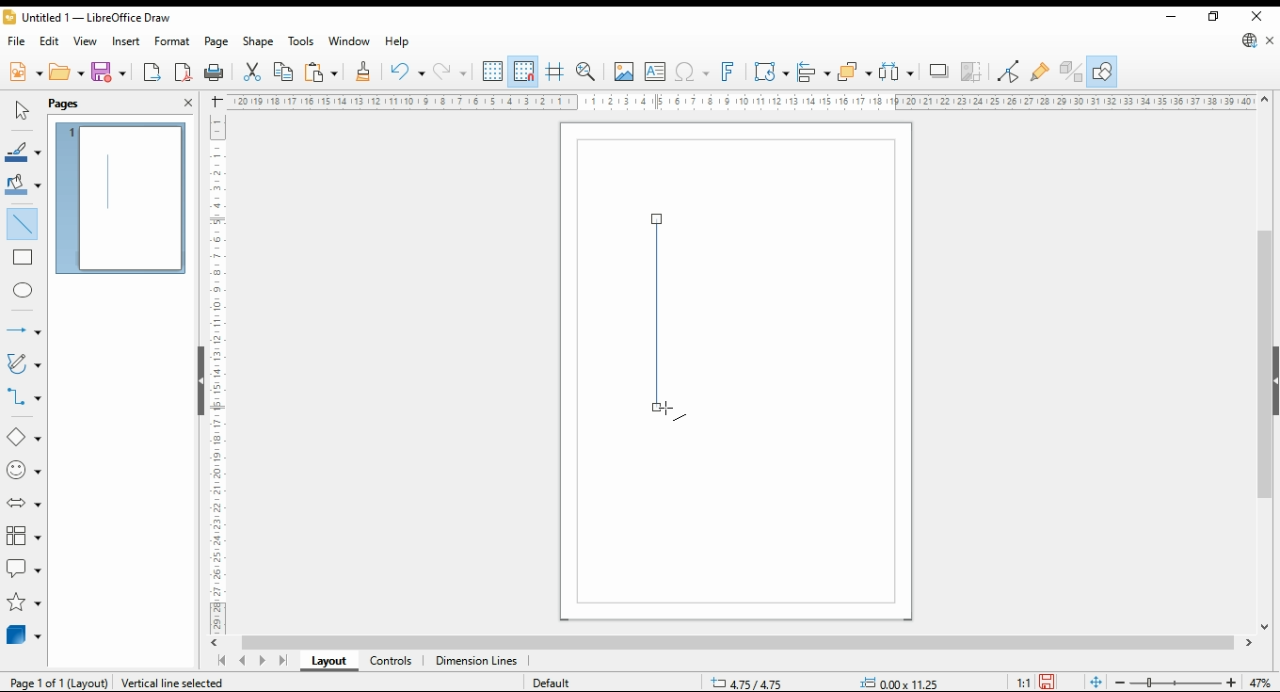 Image resolution: width=1280 pixels, height=692 pixels. Describe the element at coordinates (437, 100) in the screenshot. I see `horizontall scale` at that location.